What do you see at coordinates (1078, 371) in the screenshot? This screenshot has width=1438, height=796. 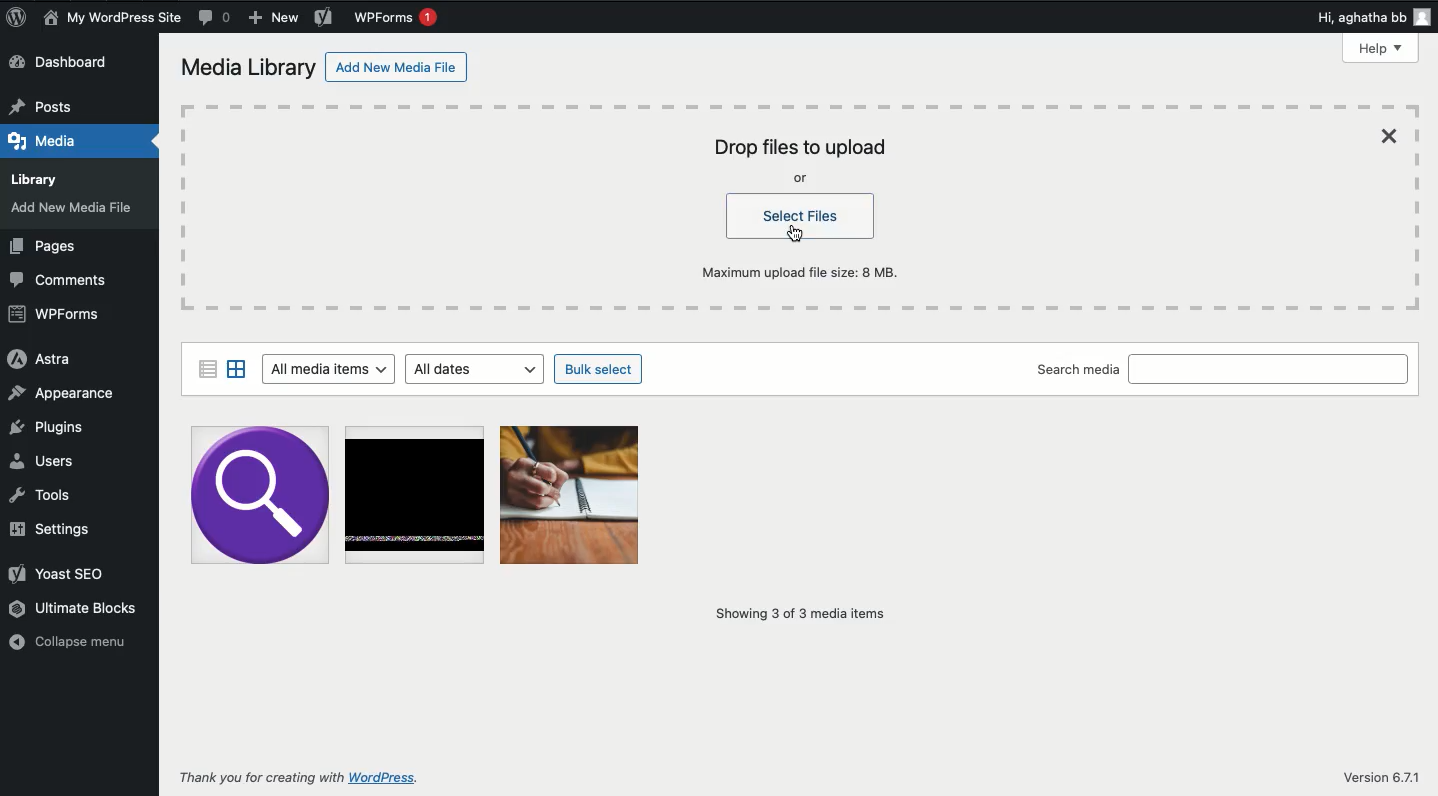 I see `Search media` at bounding box center [1078, 371].